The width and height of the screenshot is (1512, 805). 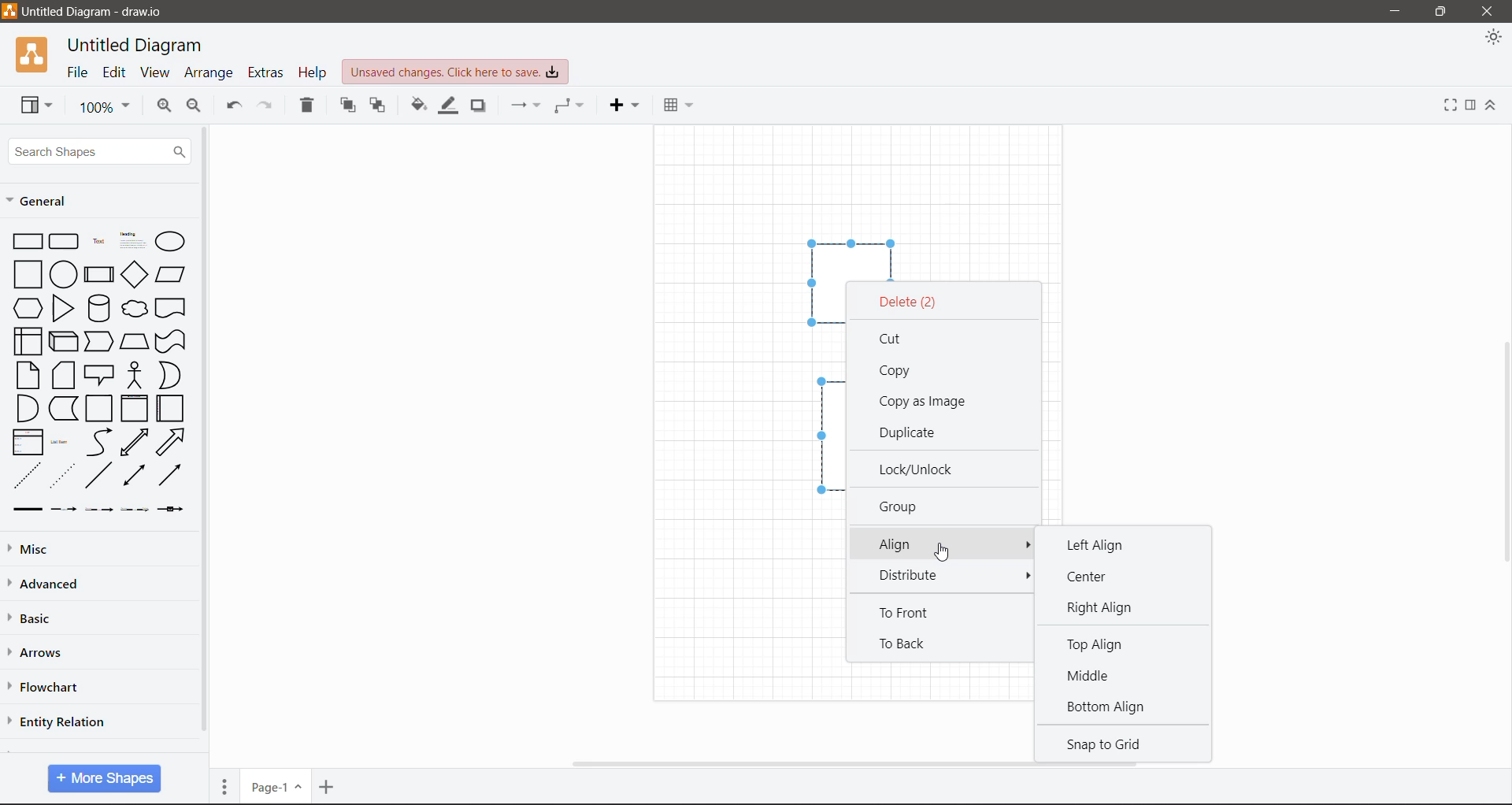 I want to click on Advanced, so click(x=54, y=584).